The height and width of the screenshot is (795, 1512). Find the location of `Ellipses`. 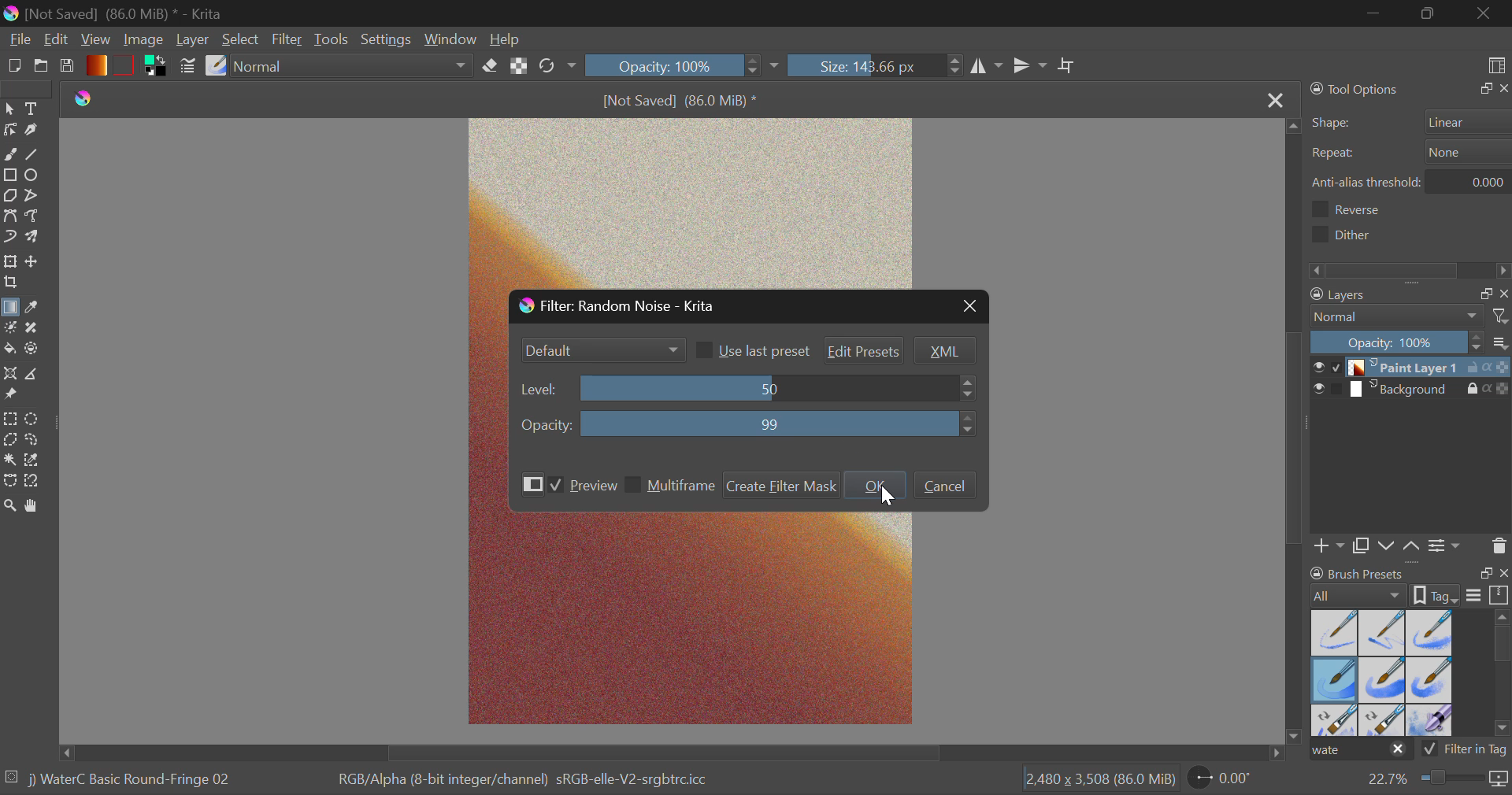

Ellipses is located at coordinates (37, 176).